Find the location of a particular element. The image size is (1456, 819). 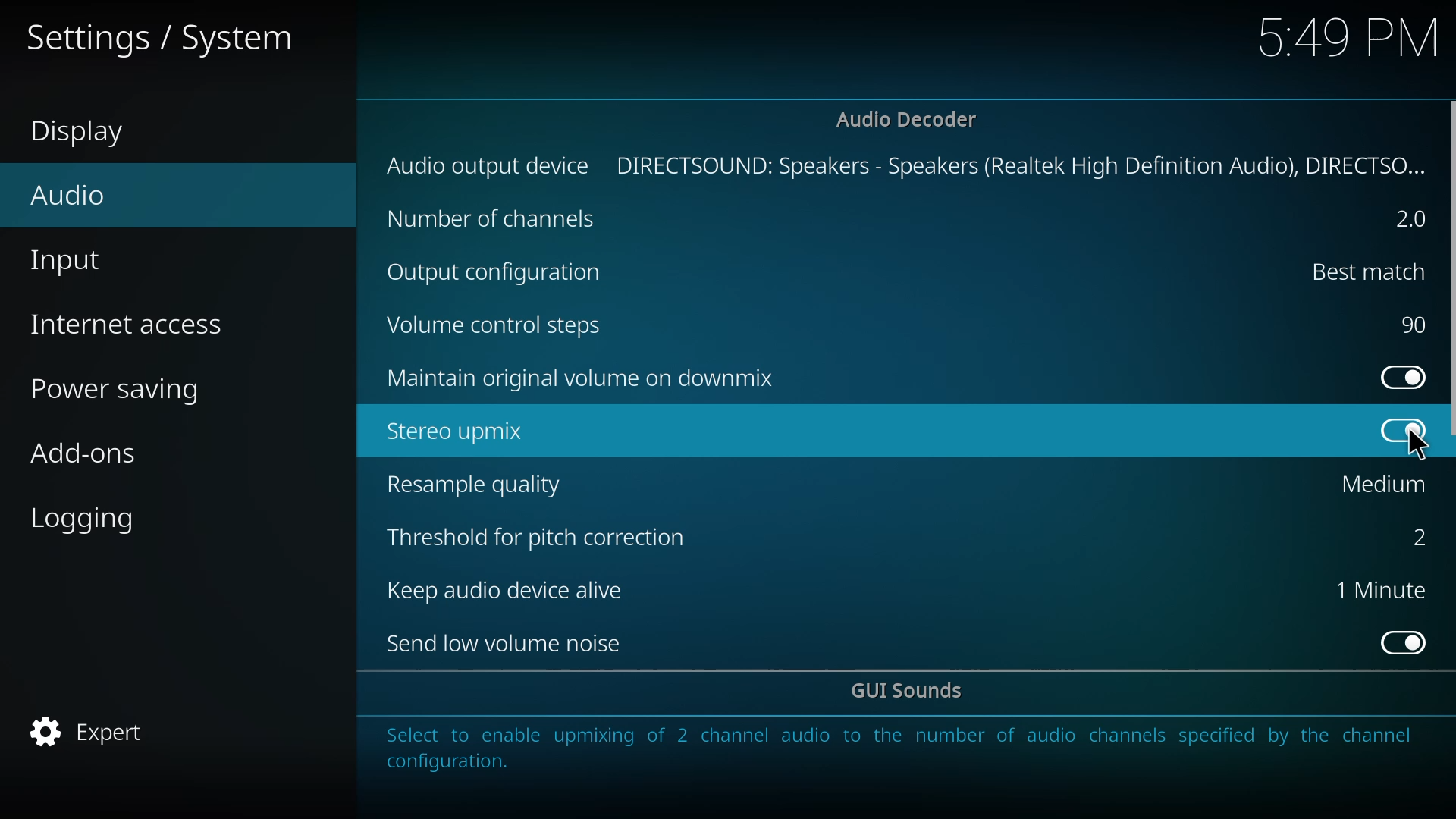

settings system is located at coordinates (171, 35).